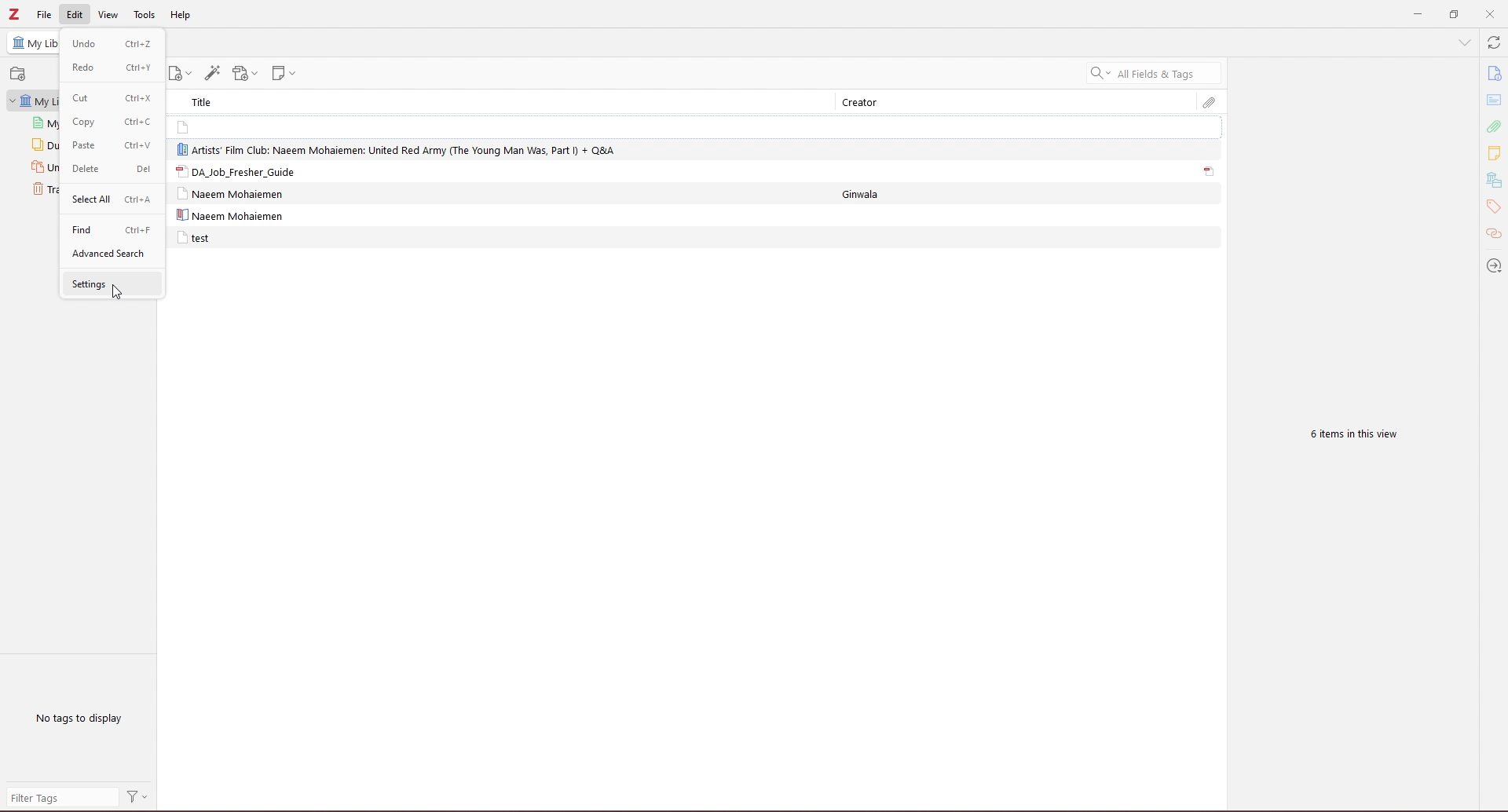  What do you see at coordinates (111, 97) in the screenshot?
I see `cut` at bounding box center [111, 97].